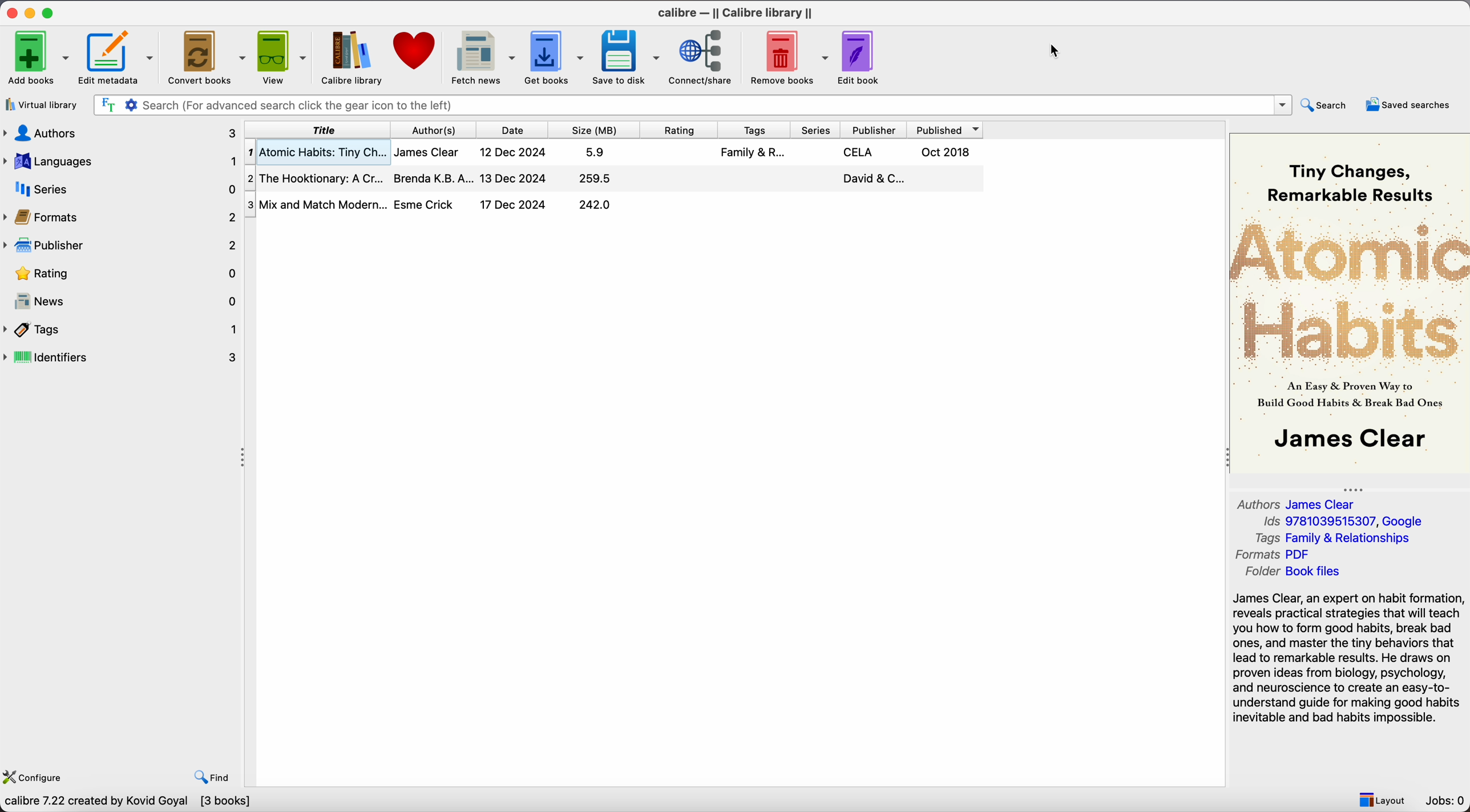 This screenshot has height=812, width=1470. I want to click on saved searches, so click(1411, 104).